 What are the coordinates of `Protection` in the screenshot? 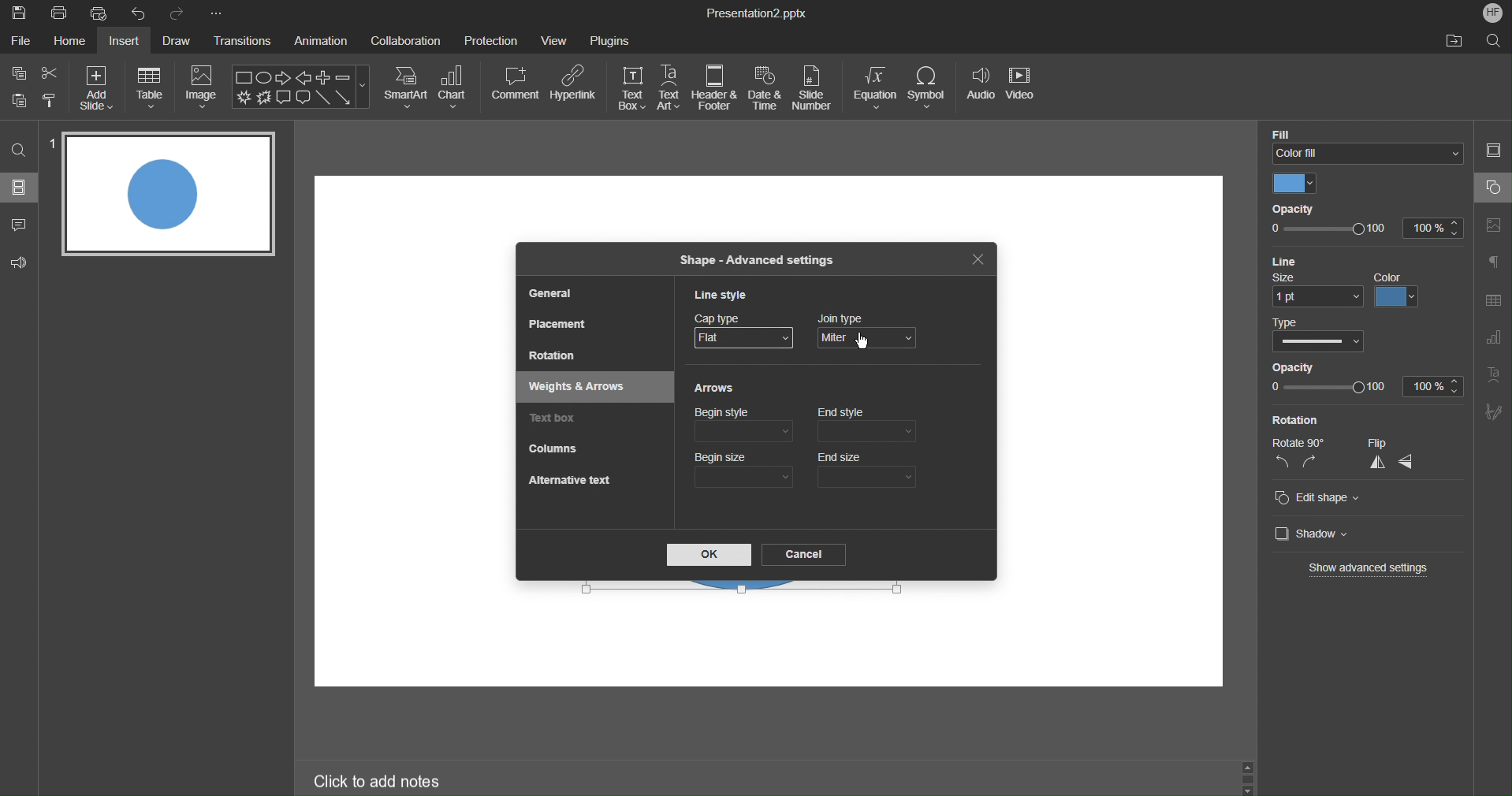 It's located at (491, 39).